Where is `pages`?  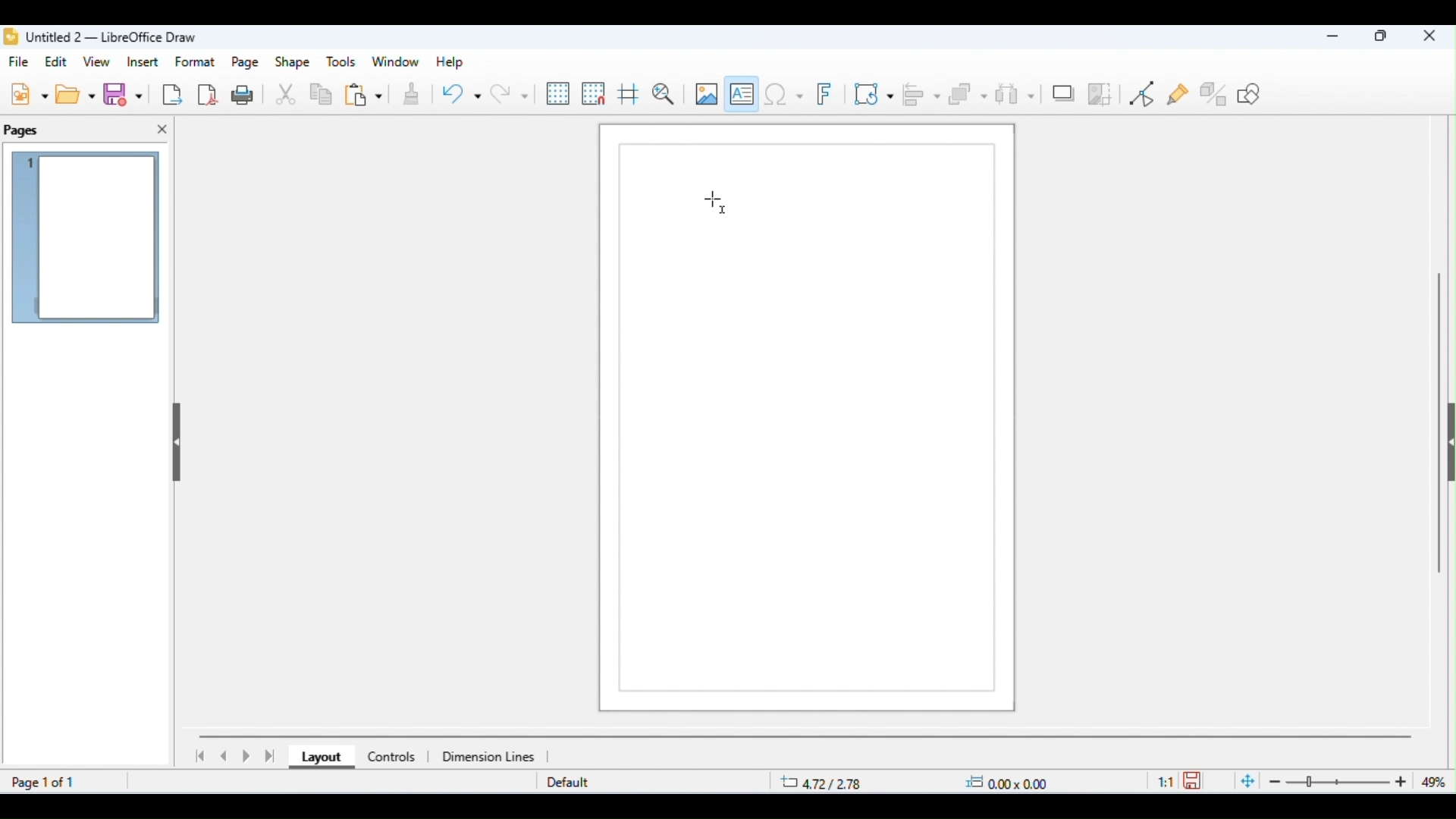 pages is located at coordinates (23, 131).